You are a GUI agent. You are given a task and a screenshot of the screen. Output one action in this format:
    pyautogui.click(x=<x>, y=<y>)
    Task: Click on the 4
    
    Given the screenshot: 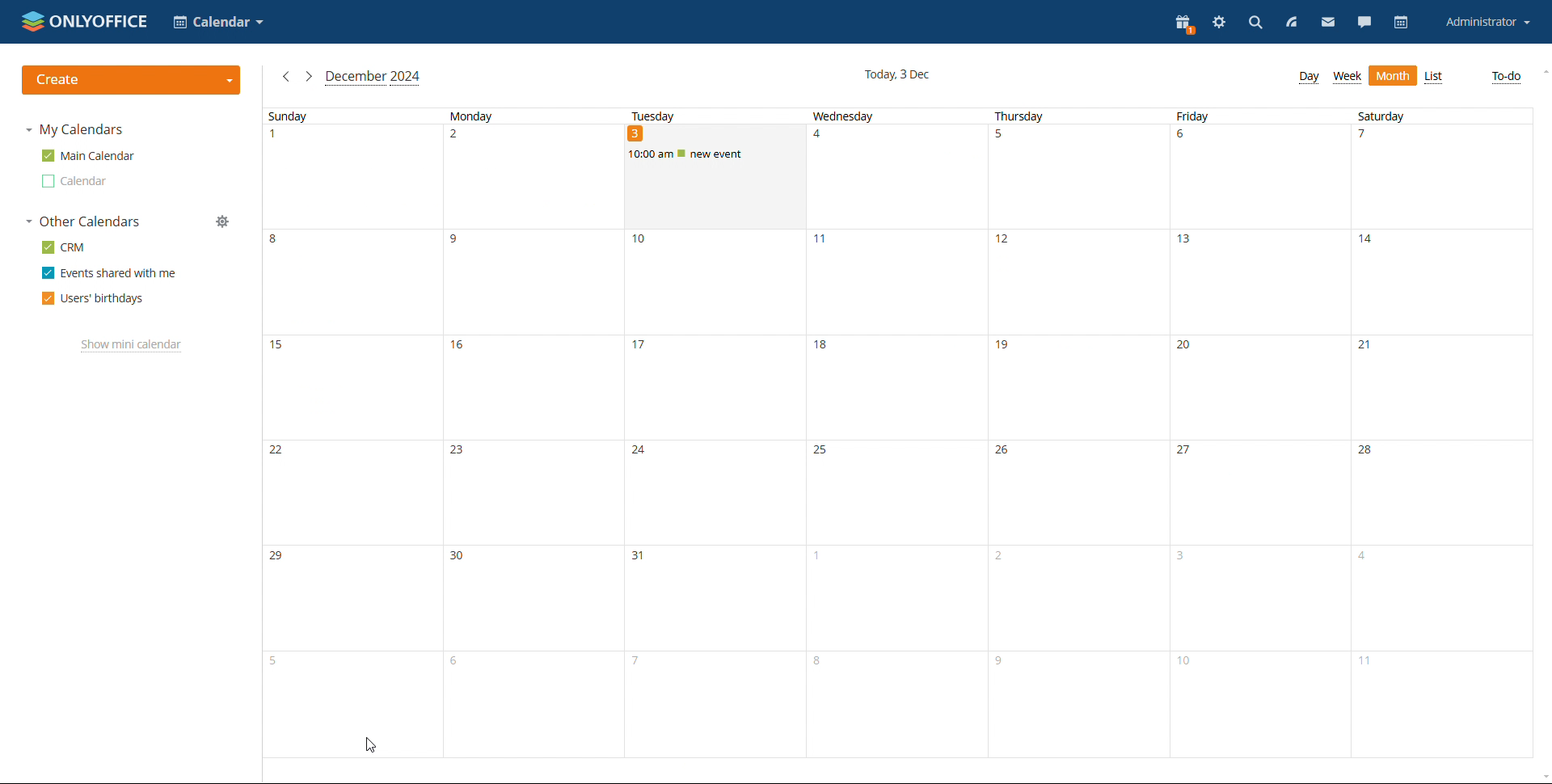 What is the action you would take?
    pyautogui.click(x=895, y=176)
    